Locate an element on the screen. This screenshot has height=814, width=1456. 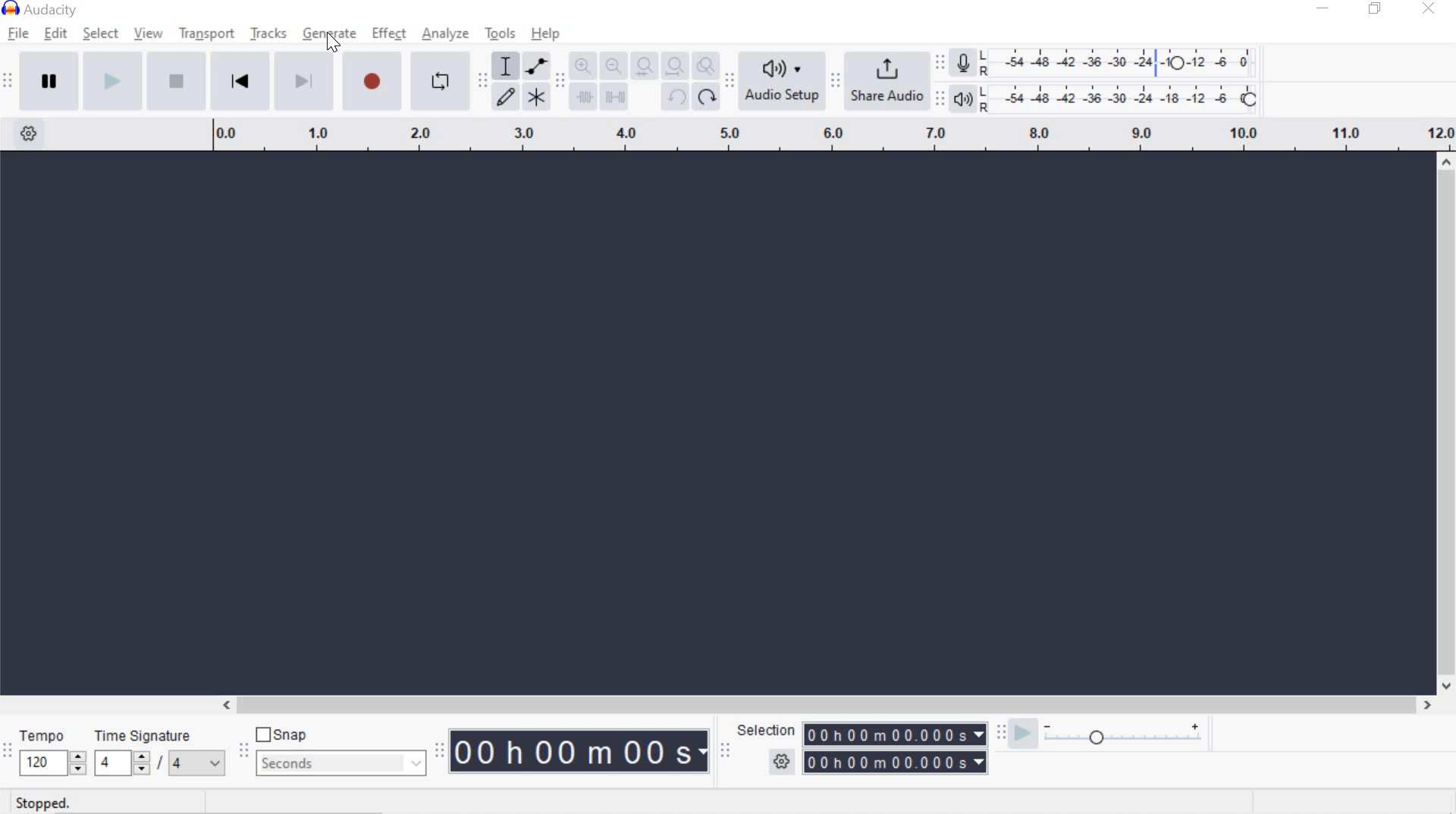
Recording meter toolbar is located at coordinates (939, 64).